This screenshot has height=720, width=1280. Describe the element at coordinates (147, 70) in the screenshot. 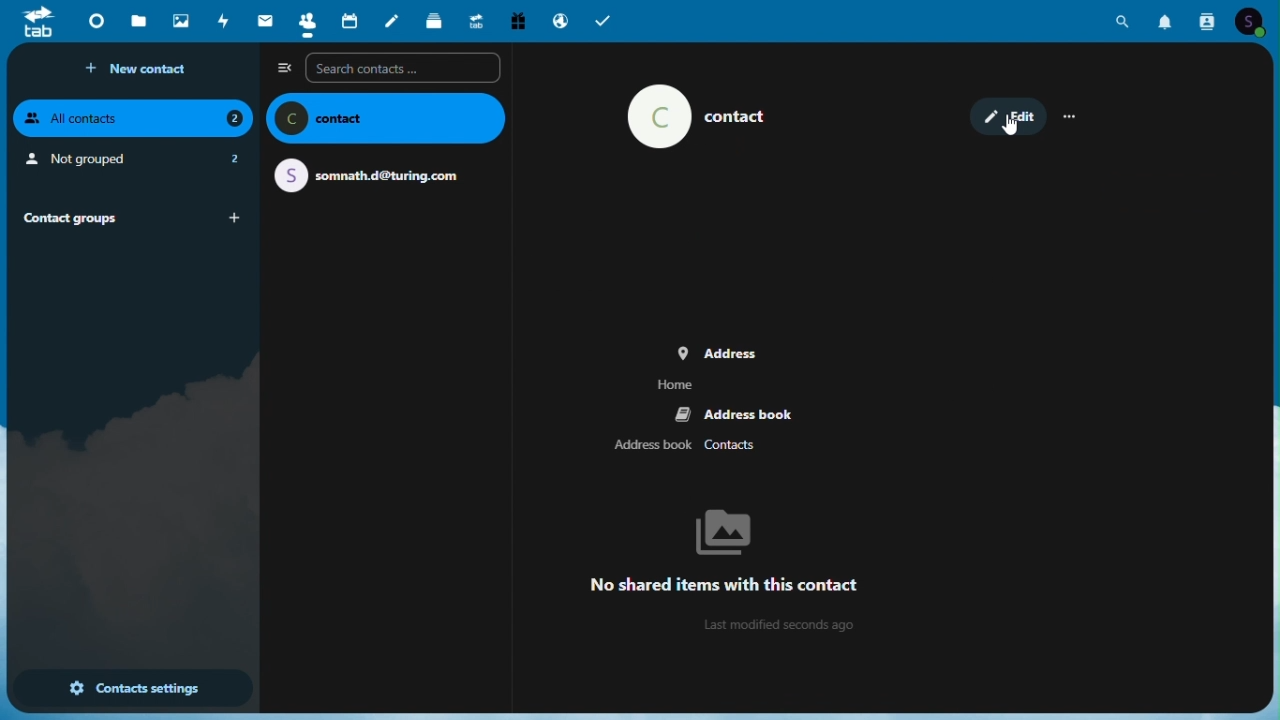

I see `New contact` at that location.